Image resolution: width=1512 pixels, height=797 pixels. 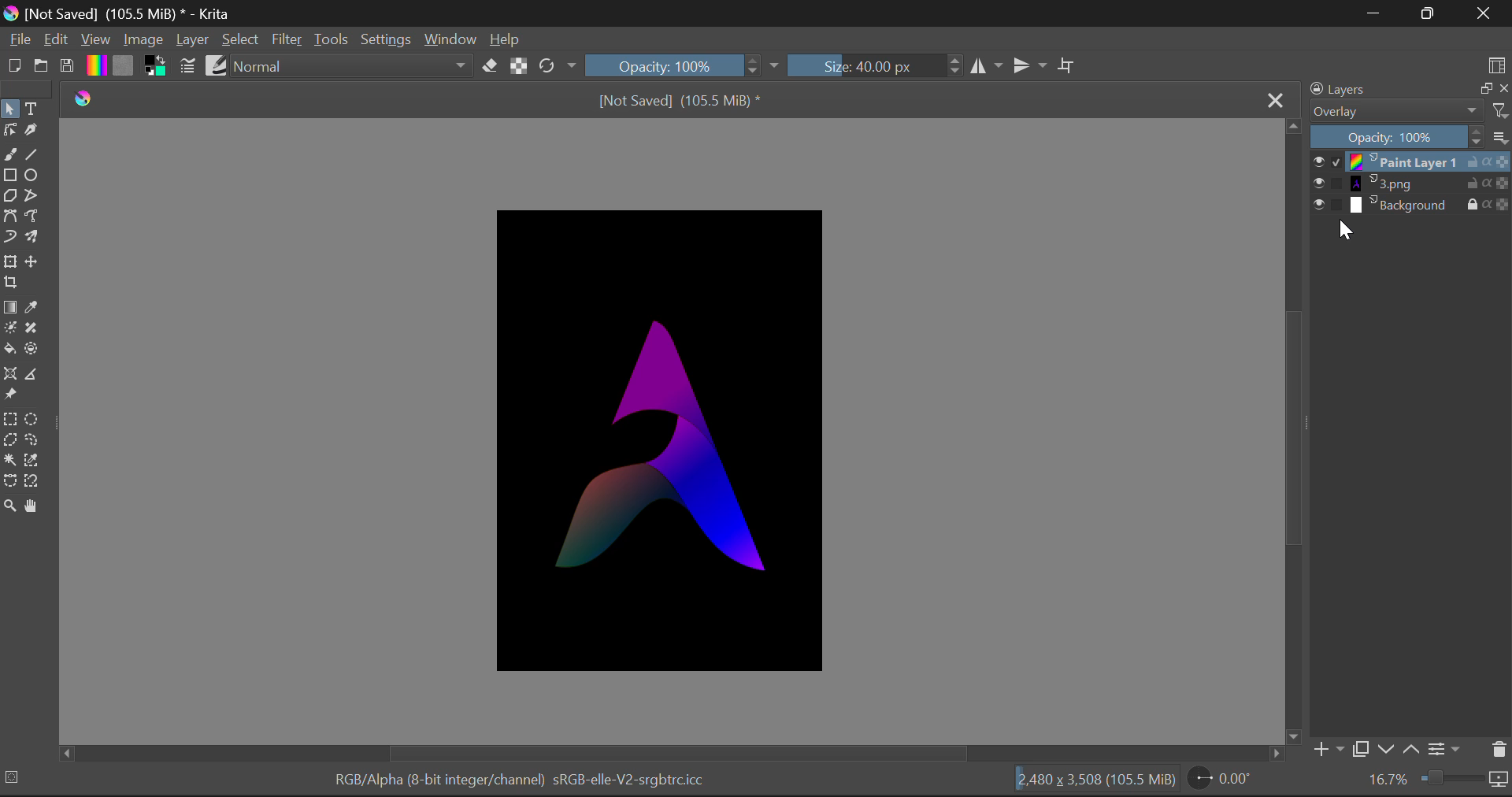 I want to click on Window, so click(x=453, y=39).